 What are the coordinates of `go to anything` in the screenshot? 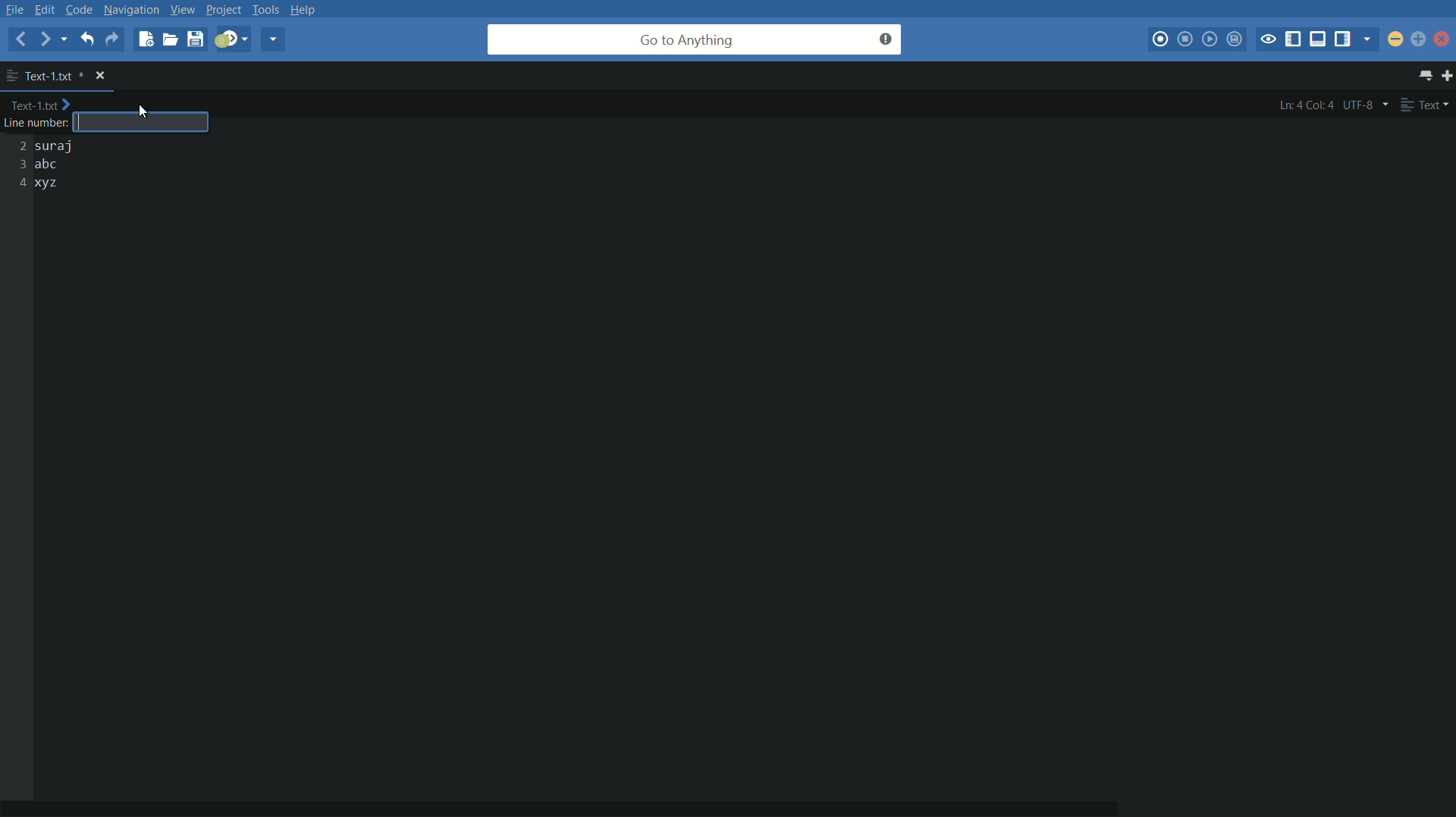 It's located at (695, 39).